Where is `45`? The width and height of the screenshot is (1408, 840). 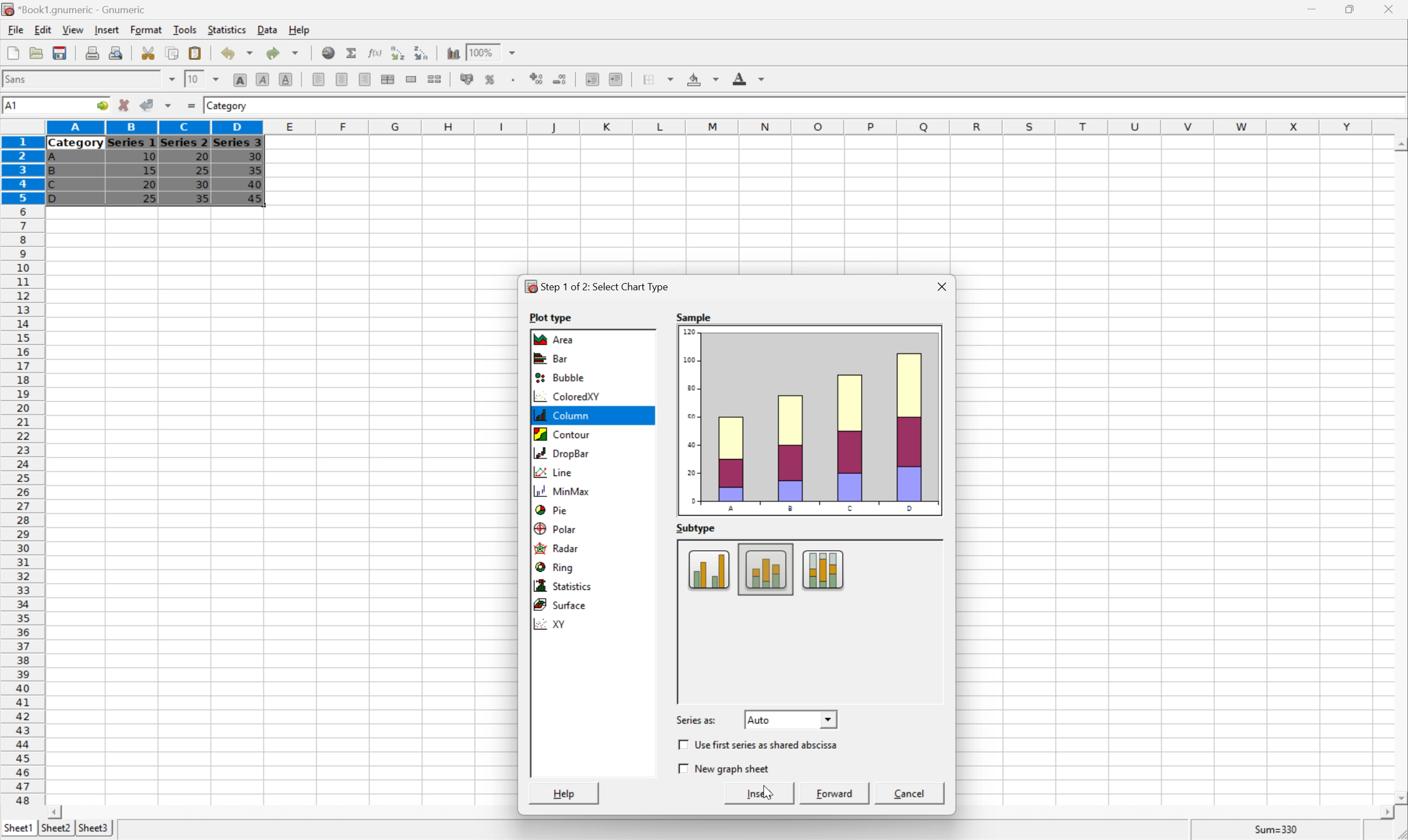 45 is located at coordinates (263, 199).